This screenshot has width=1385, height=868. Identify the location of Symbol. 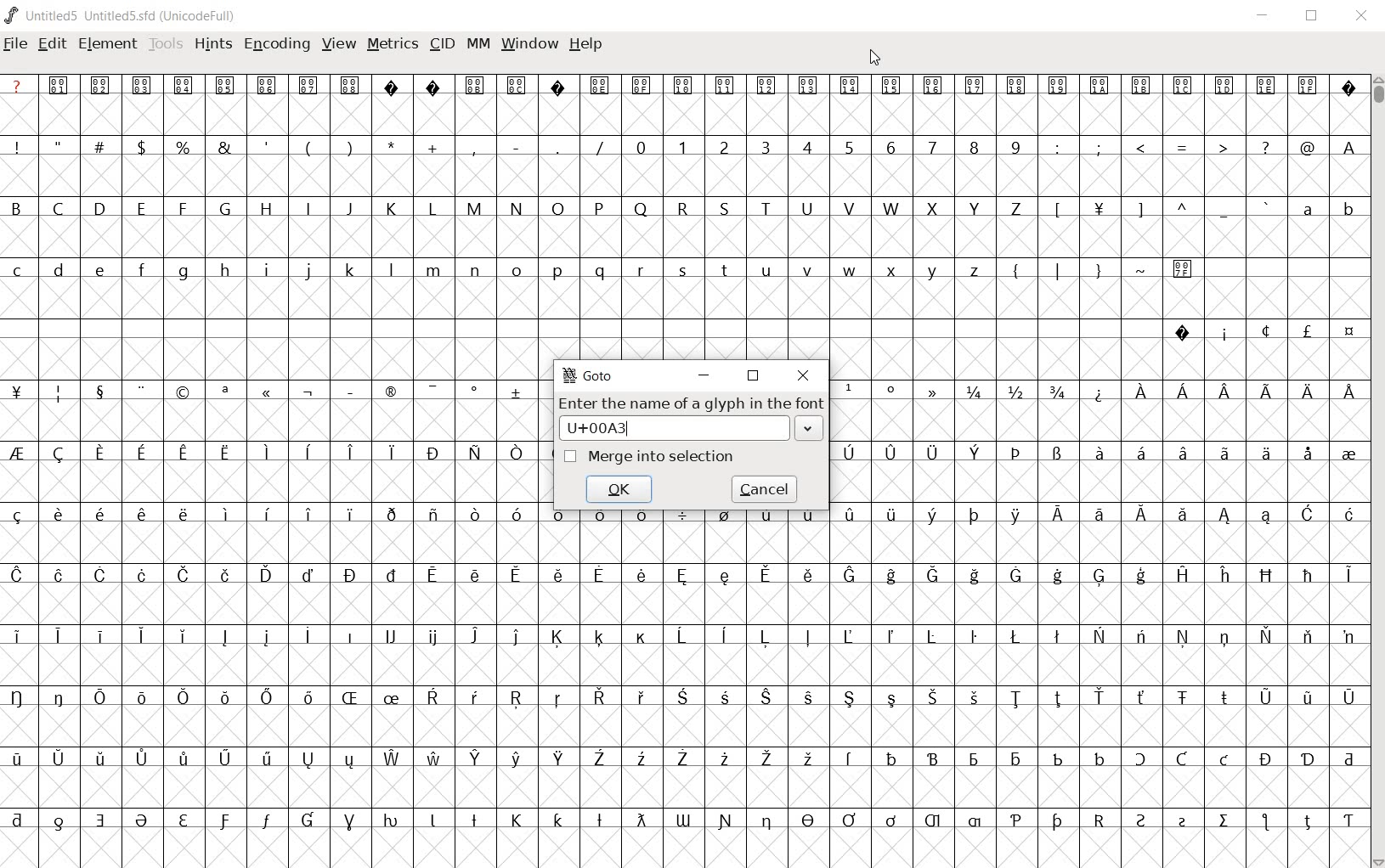
(20, 820).